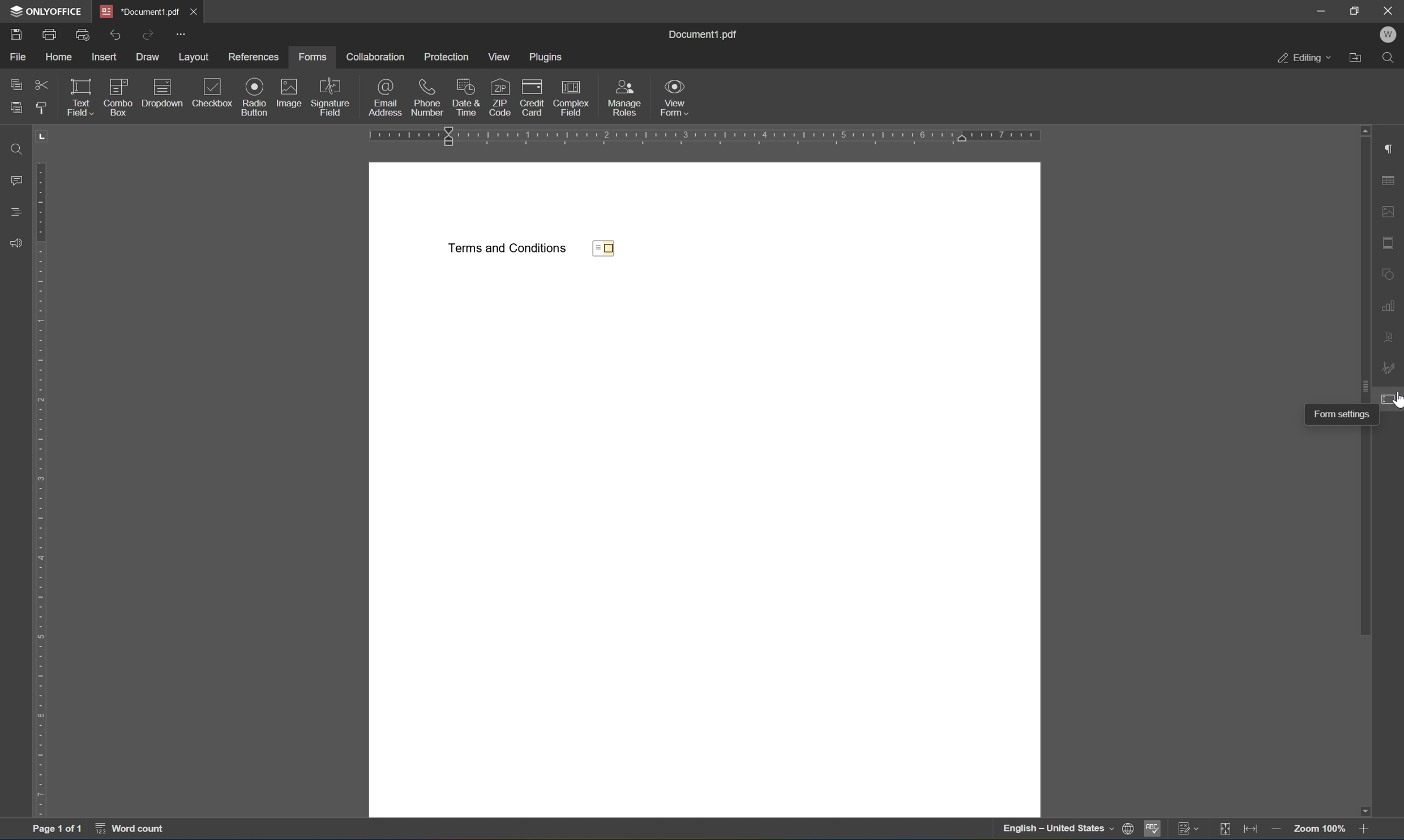 The width and height of the screenshot is (1404, 840). What do you see at coordinates (44, 472) in the screenshot?
I see `ruler` at bounding box center [44, 472].